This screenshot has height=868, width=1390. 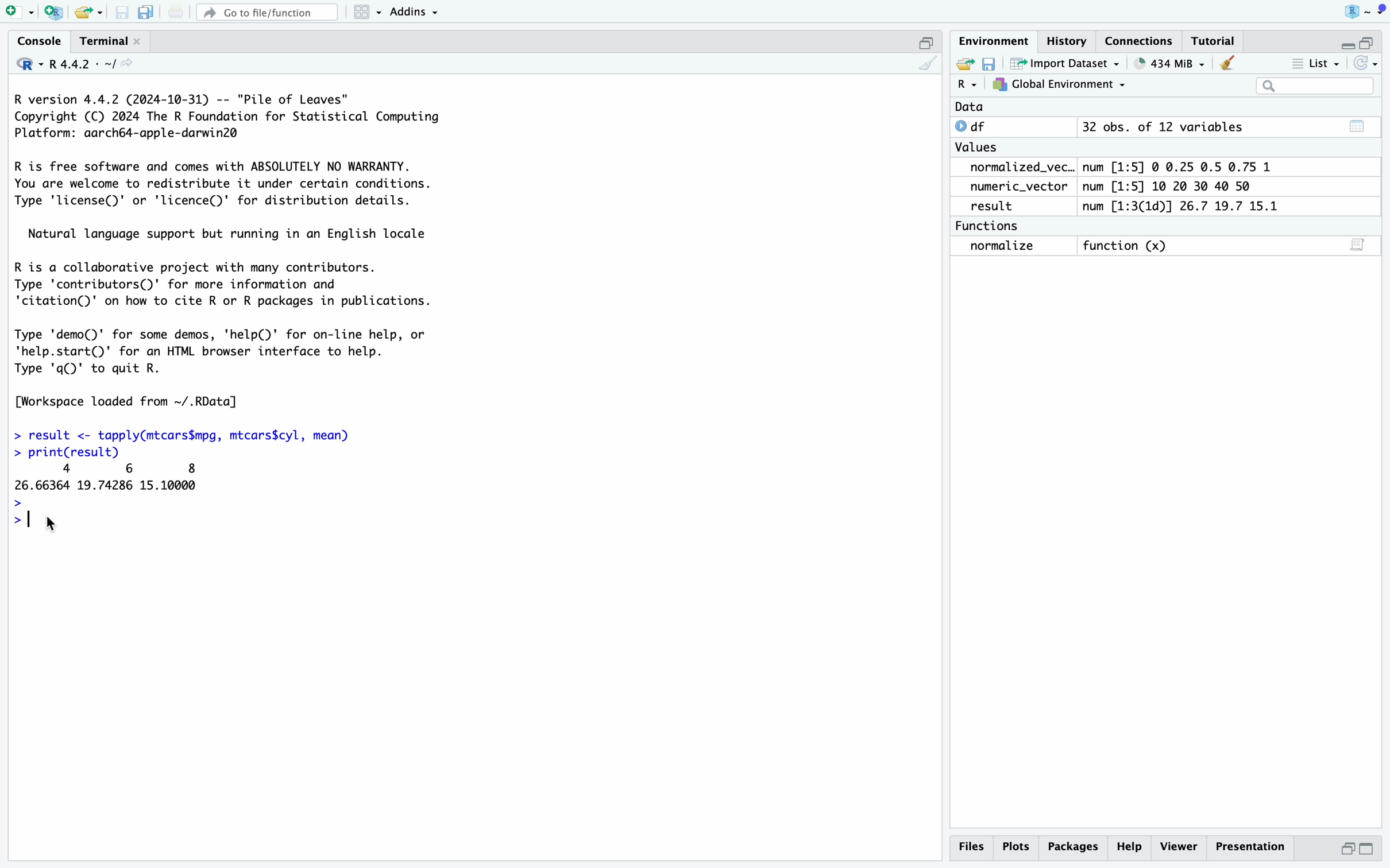 I want to click on Clear, so click(x=929, y=64).